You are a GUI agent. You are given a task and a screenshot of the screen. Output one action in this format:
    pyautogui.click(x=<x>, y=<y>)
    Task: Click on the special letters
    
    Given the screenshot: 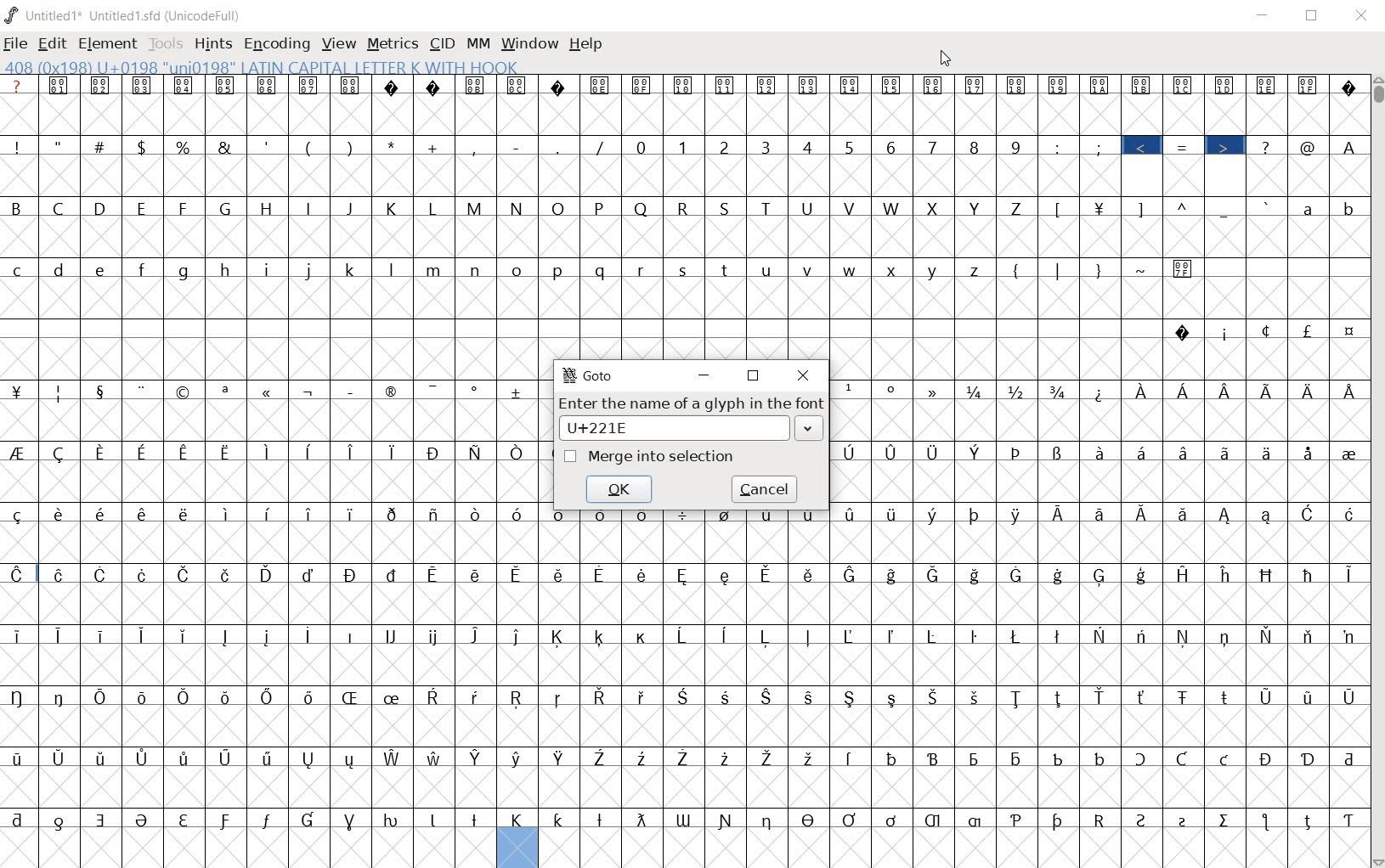 What is the action you would take?
    pyautogui.click(x=684, y=696)
    